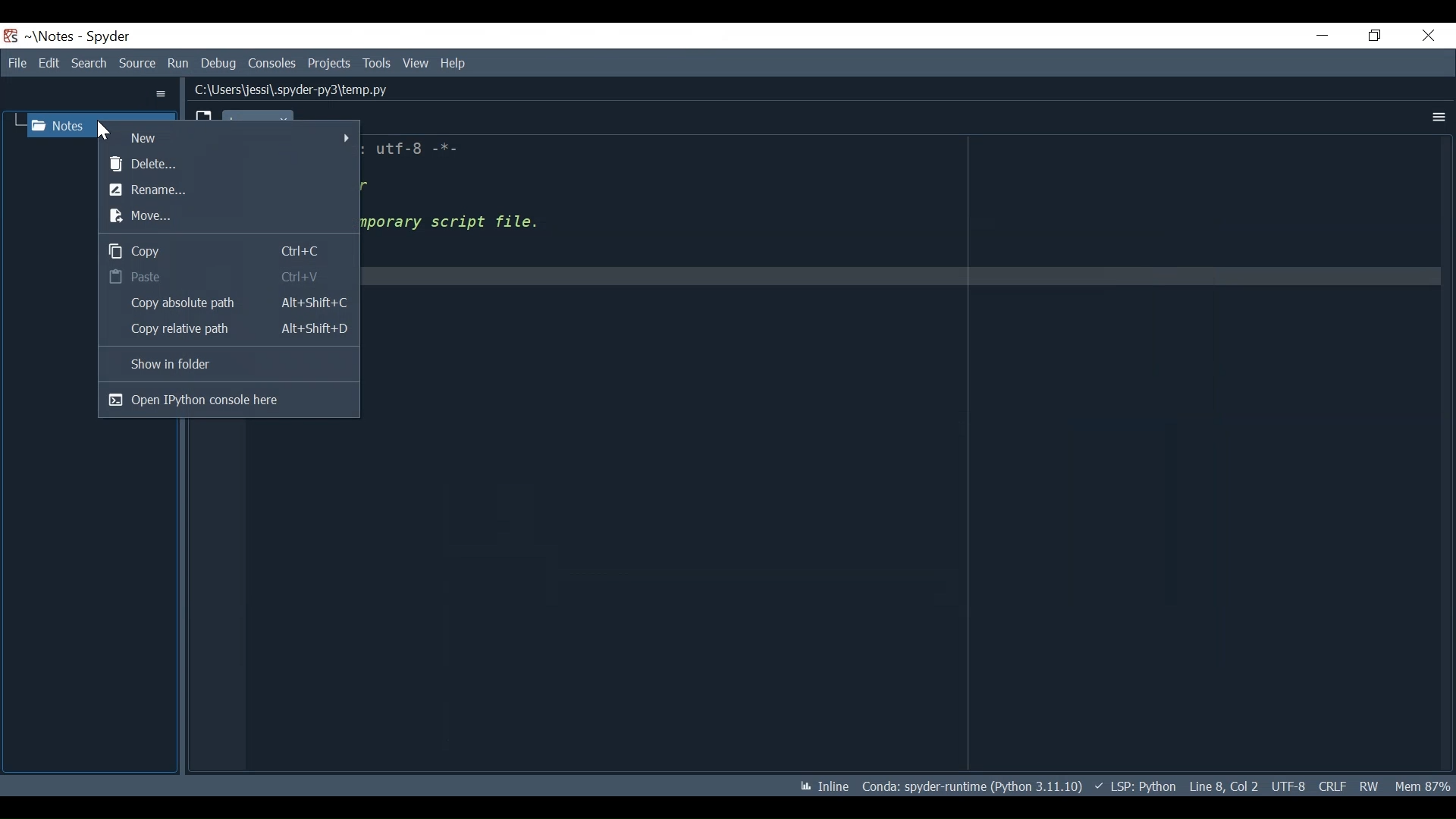  What do you see at coordinates (136, 63) in the screenshot?
I see `Source` at bounding box center [136, 63].